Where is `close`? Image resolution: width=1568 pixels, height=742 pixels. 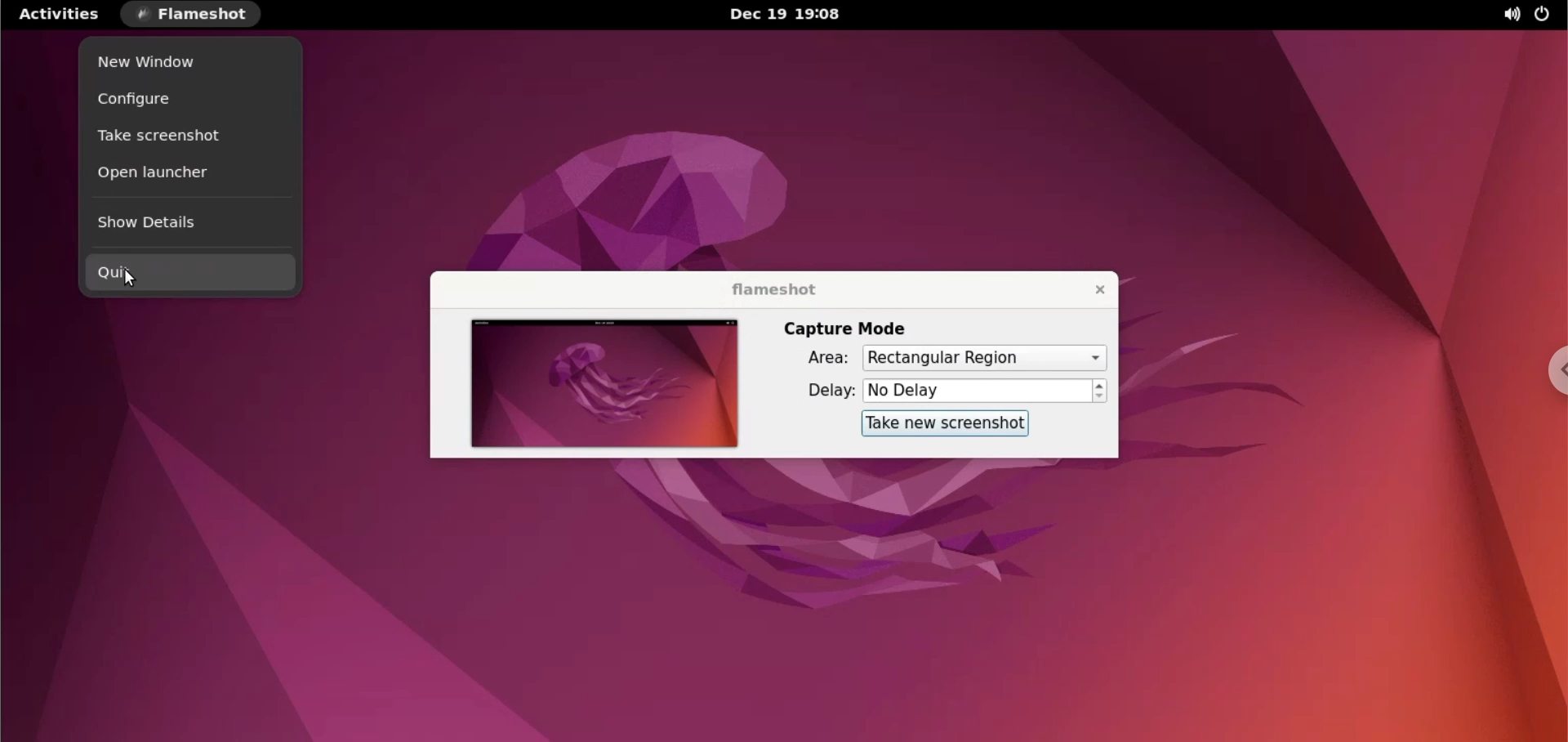 close is located at coordinates (1086, 291).